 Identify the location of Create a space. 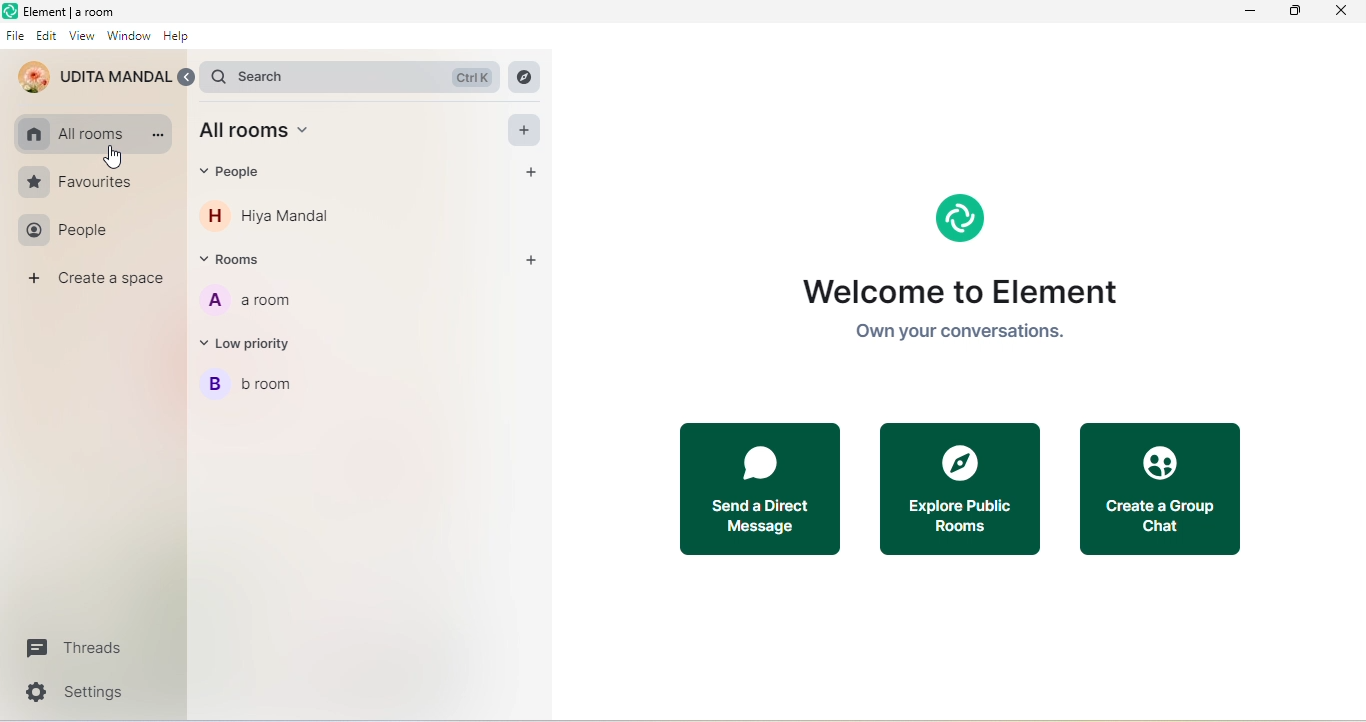
(95, 282).